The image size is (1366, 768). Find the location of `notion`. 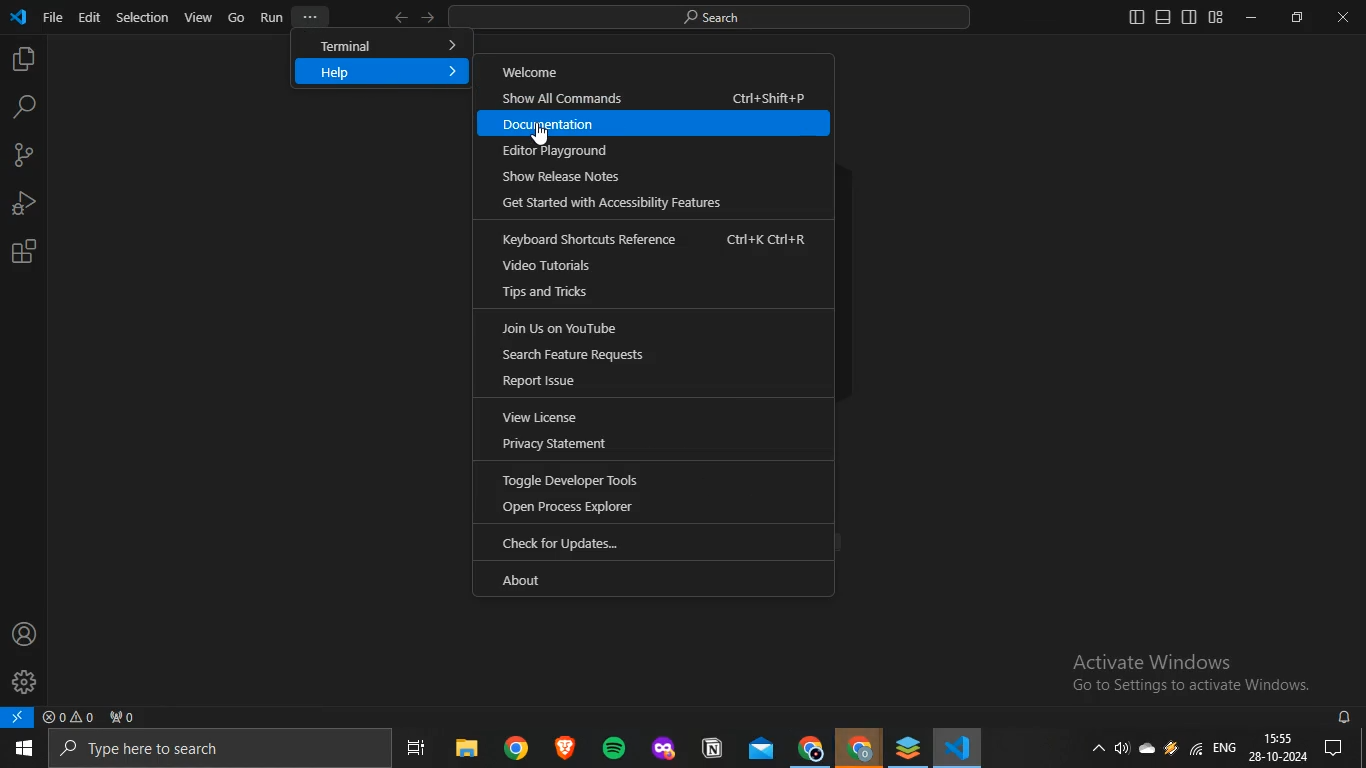

notion is located at coordinates (711, 748).